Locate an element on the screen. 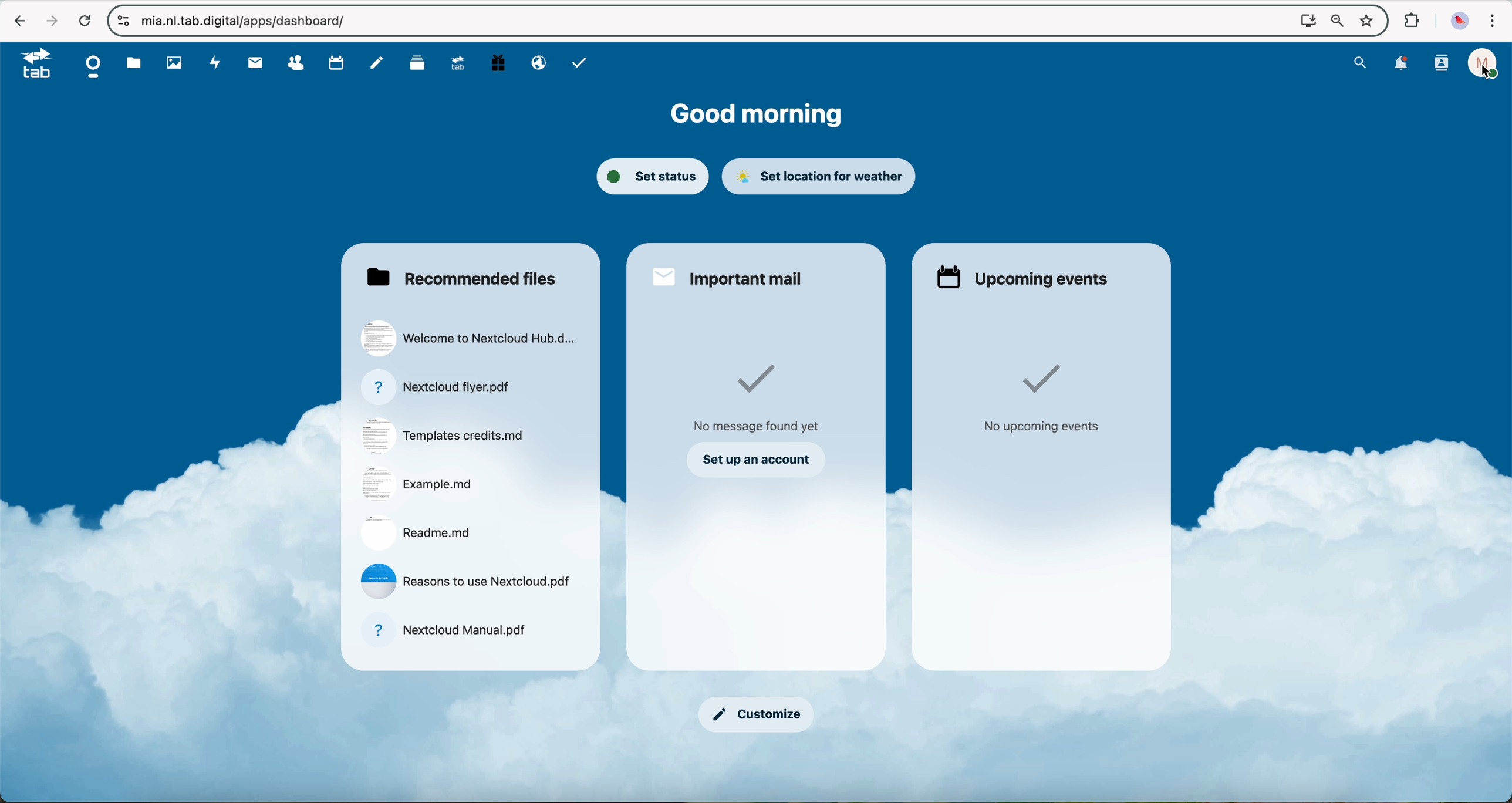  file is located at coordinates (439, 387).